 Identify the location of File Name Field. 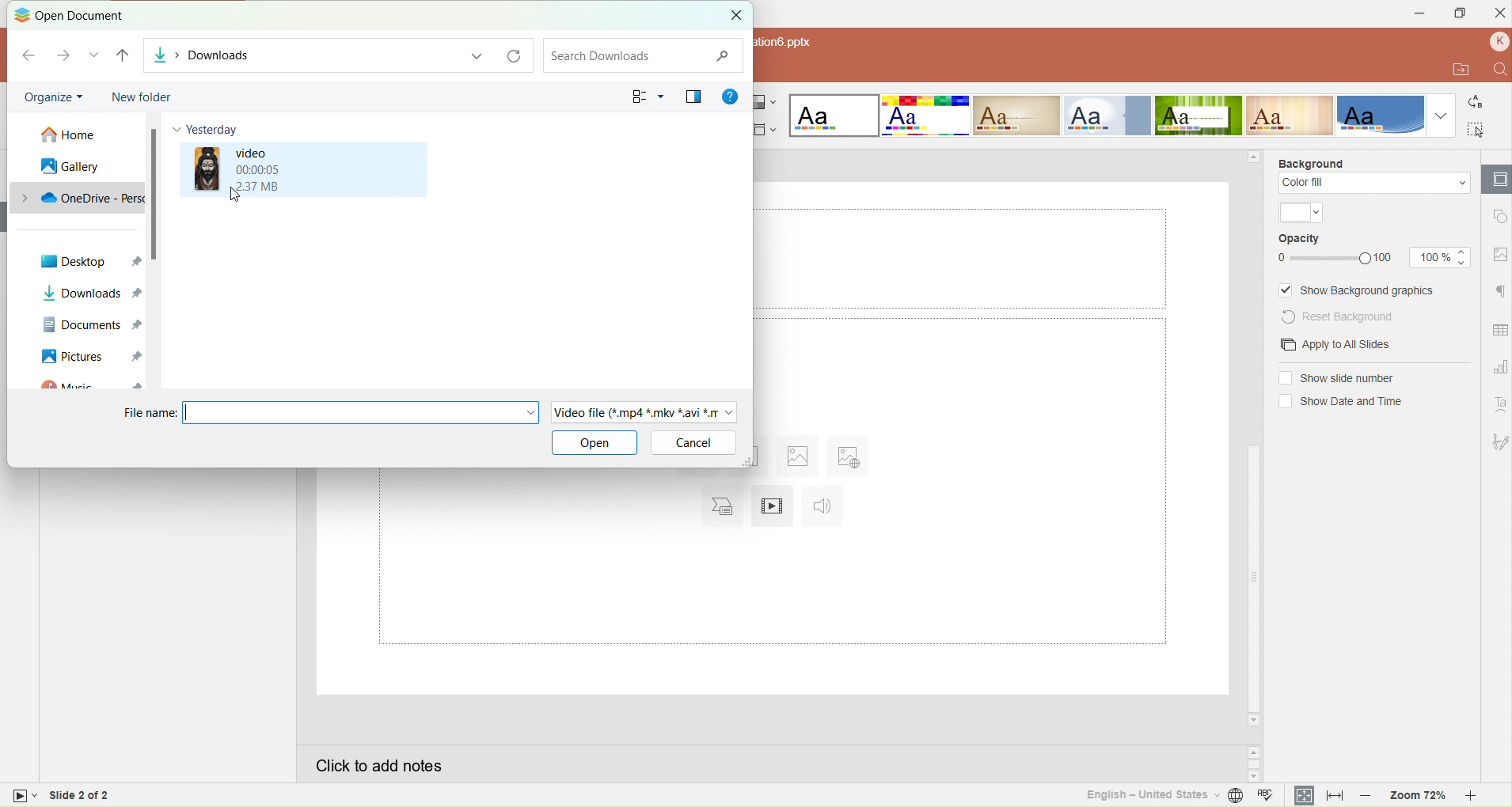
(359, 414).